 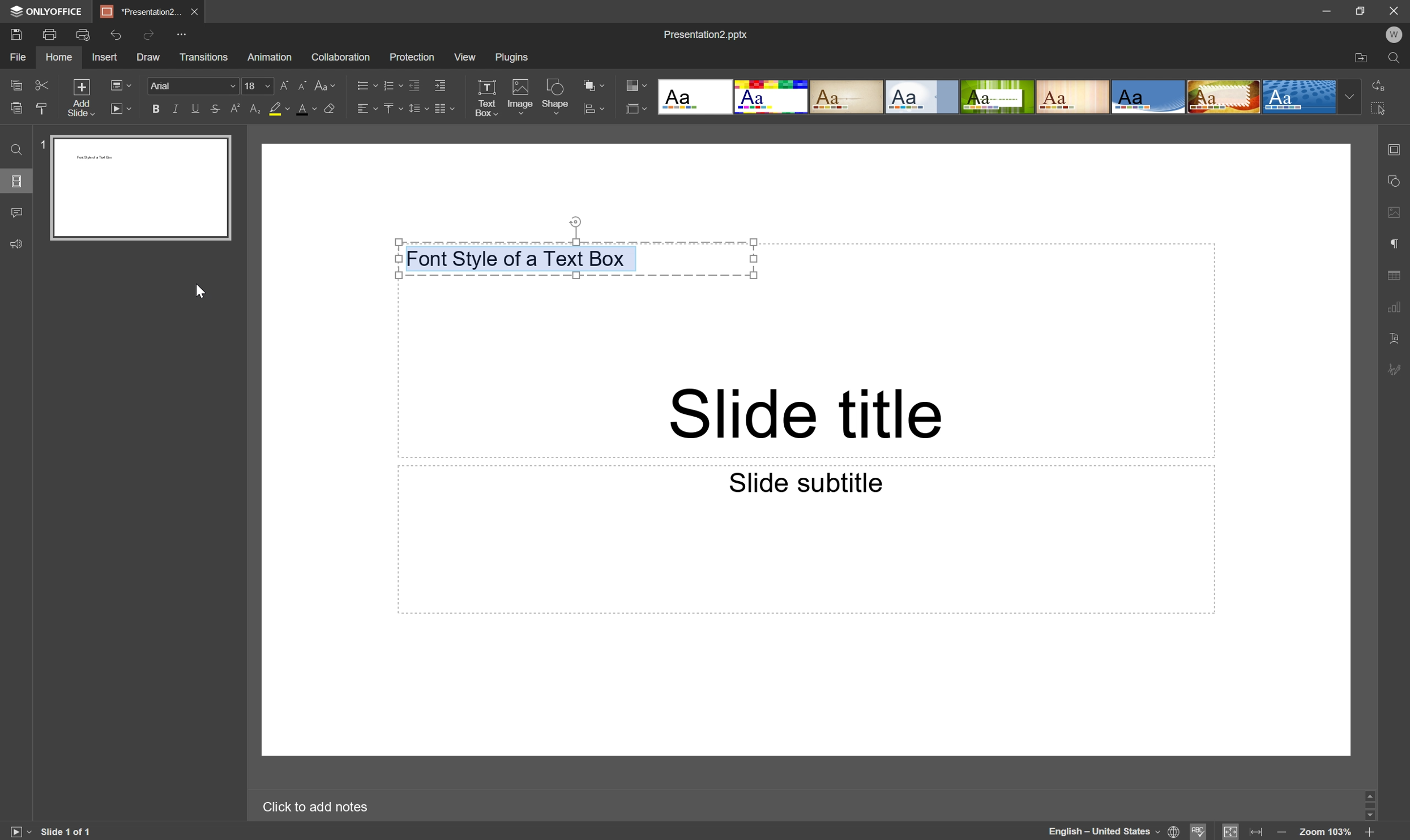 I want to click on Superscript, so click(x=236, y=109).